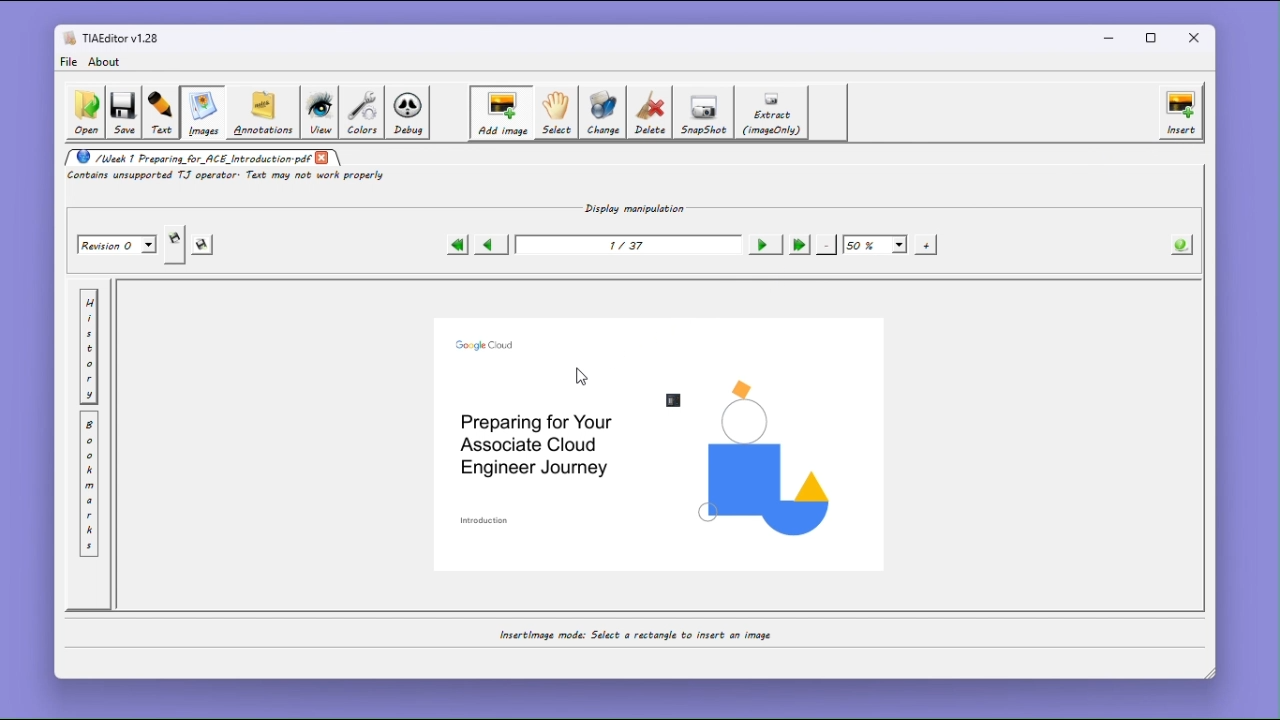 The width and height of the screenshot is (1280, 720). What do you see at coordinates (827, 243) in the screenshot?
I see `-` at bounding box center [827, 243].